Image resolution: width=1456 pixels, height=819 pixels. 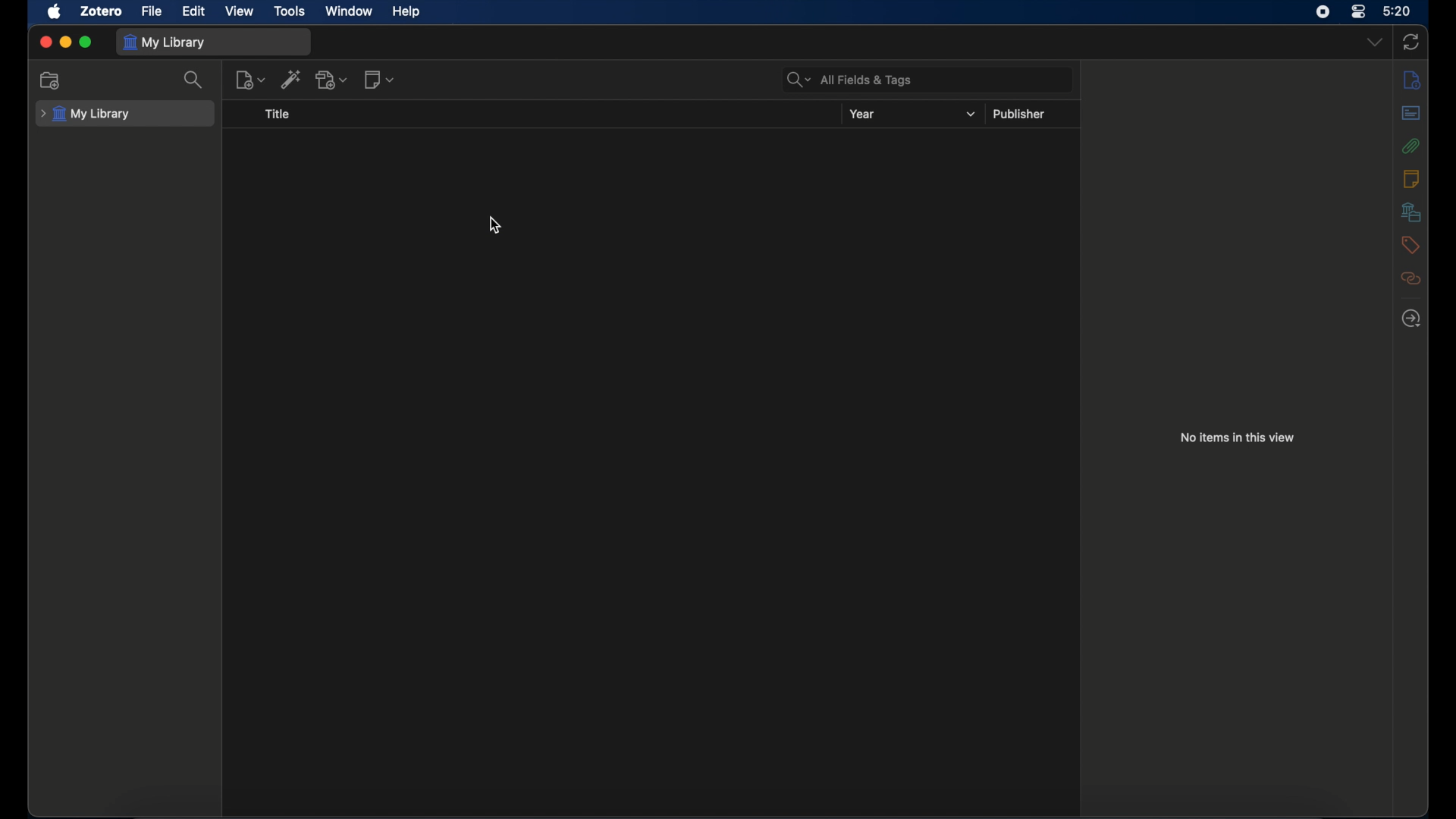 What do you see at coordinates (1323, 11) in the screenshot?
I see `screen recorder` at bounding box center [1323, 11].